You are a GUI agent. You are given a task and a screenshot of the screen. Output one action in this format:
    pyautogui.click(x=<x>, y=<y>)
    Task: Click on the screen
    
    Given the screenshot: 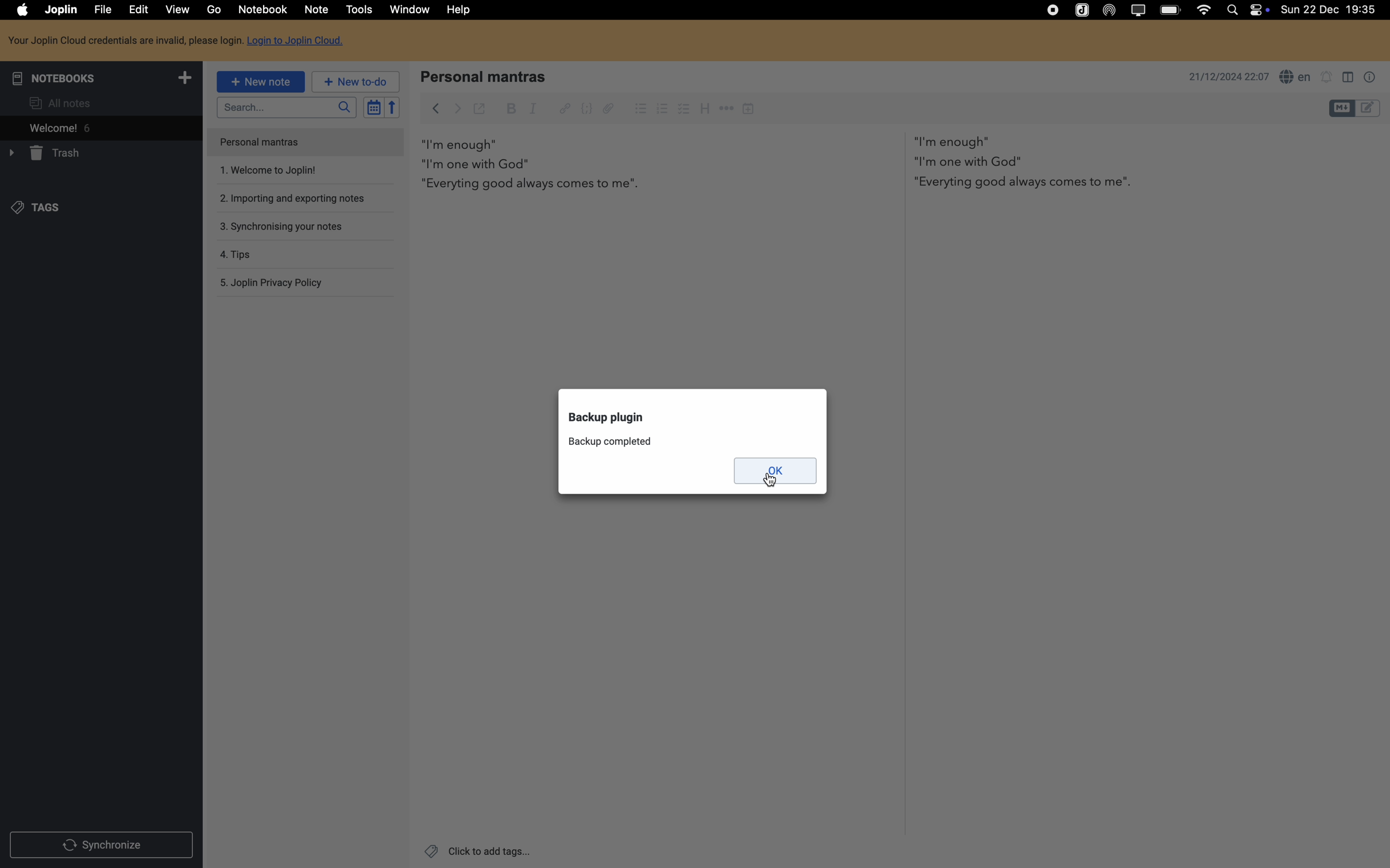 What is the action you would take?
    pyautogui.click(x=1136, y=9)
    